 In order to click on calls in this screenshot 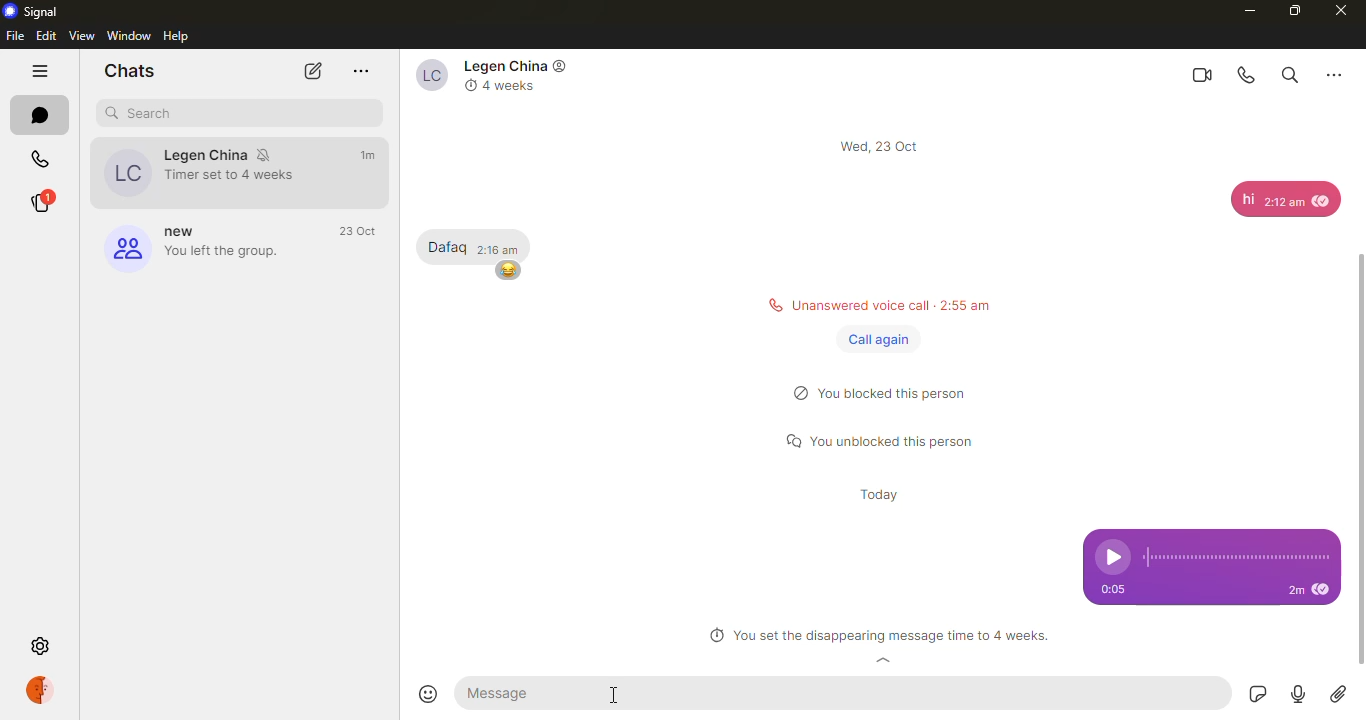, I will do `click(40, 161)`.